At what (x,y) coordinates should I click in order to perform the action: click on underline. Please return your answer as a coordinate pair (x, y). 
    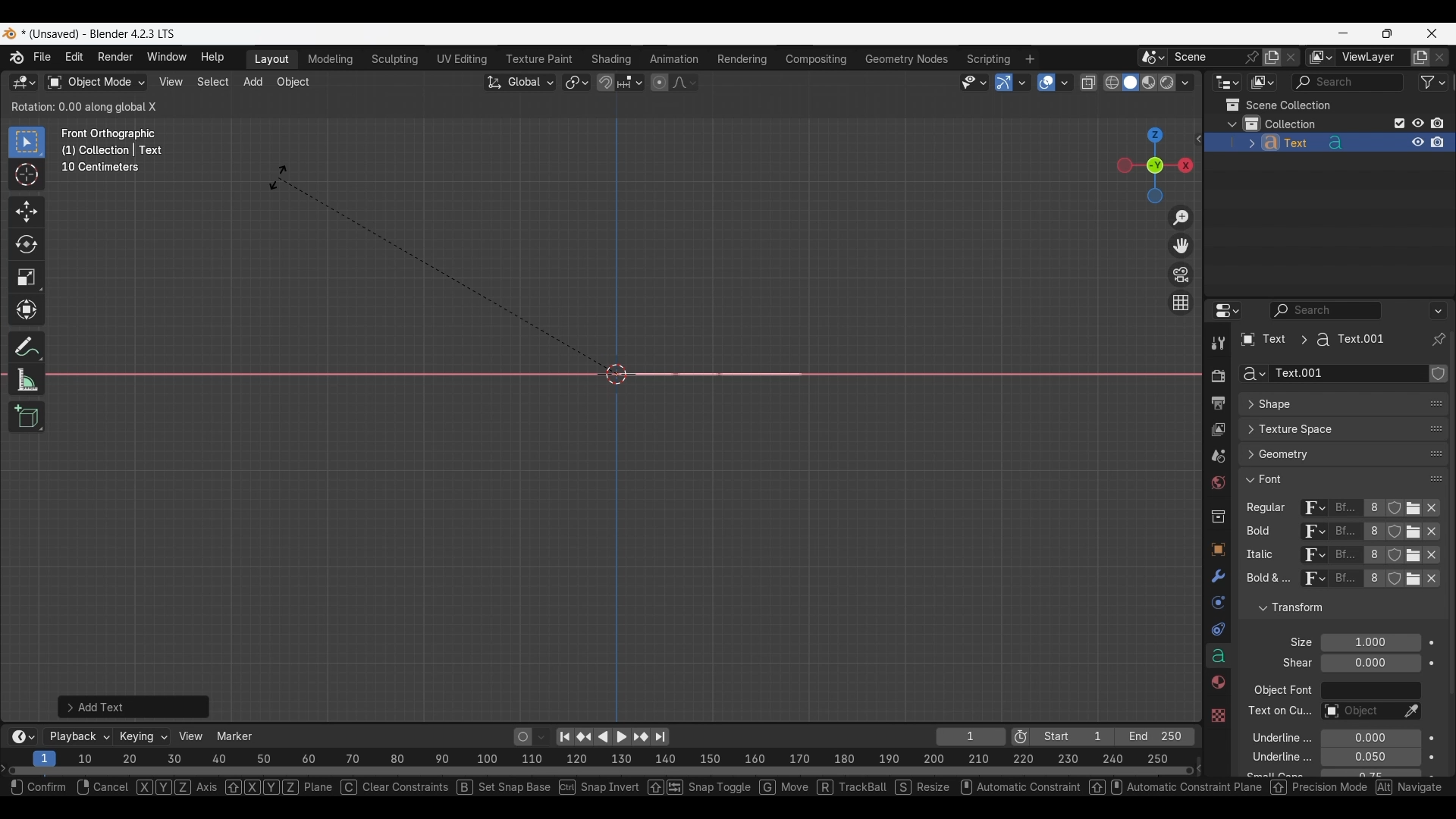
    Looking at the image, I should click on (1269, 759).